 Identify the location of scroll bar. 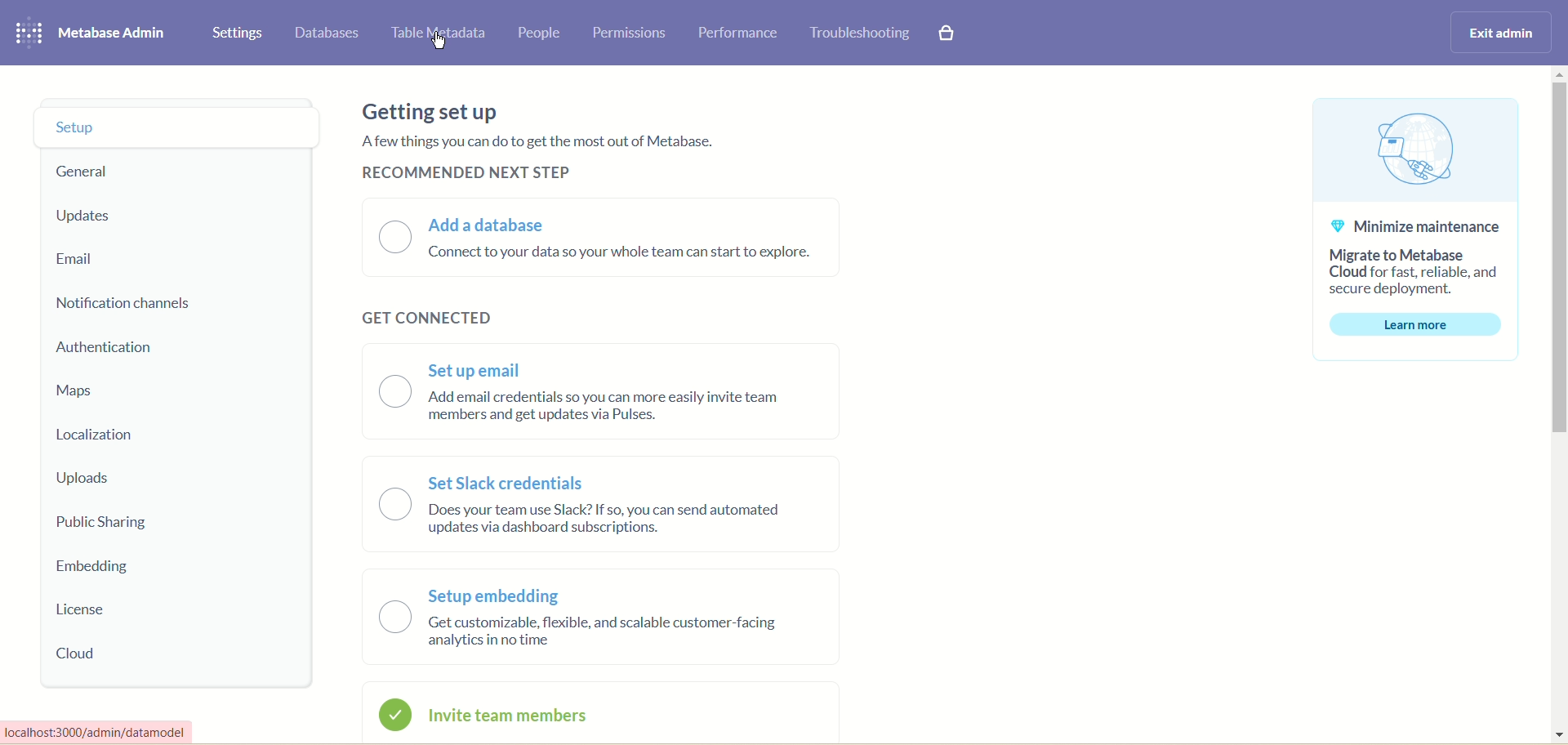
(1557, 404).